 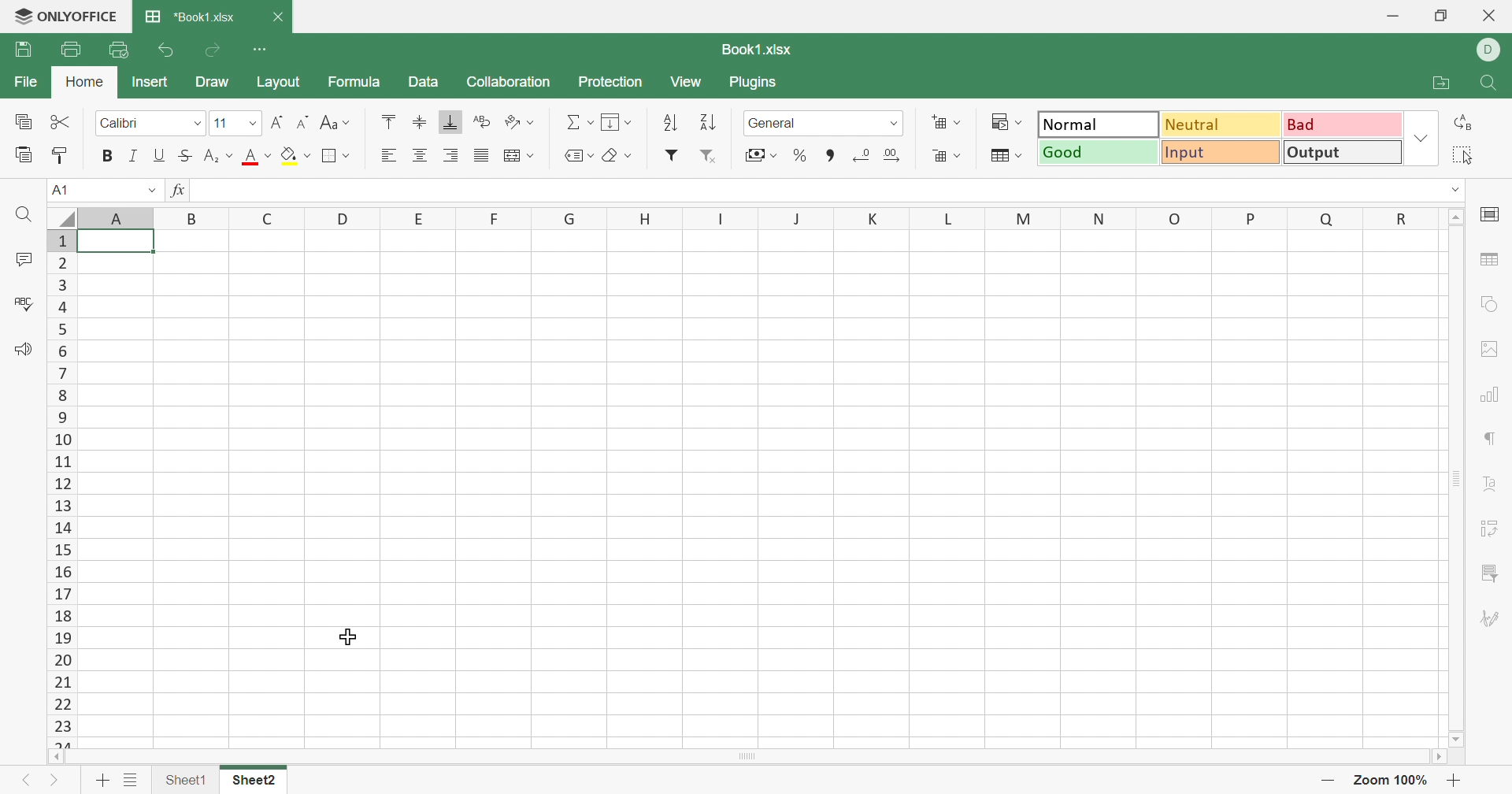 I want to click on Decrement font size, so click(x=300, y=121).